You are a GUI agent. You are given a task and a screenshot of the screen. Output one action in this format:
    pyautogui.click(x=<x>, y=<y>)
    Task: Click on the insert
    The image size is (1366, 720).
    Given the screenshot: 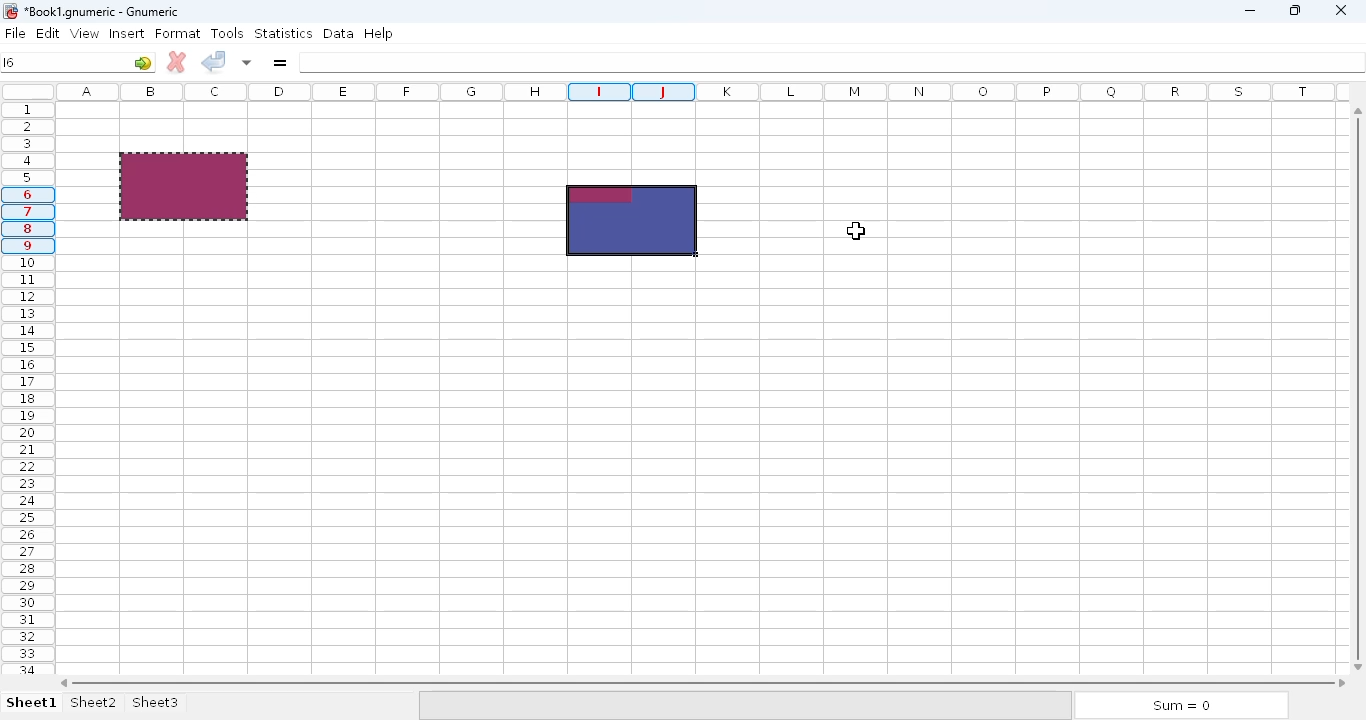 What is the action you would take?
    pyautogui.click(x=126, y=33)
    